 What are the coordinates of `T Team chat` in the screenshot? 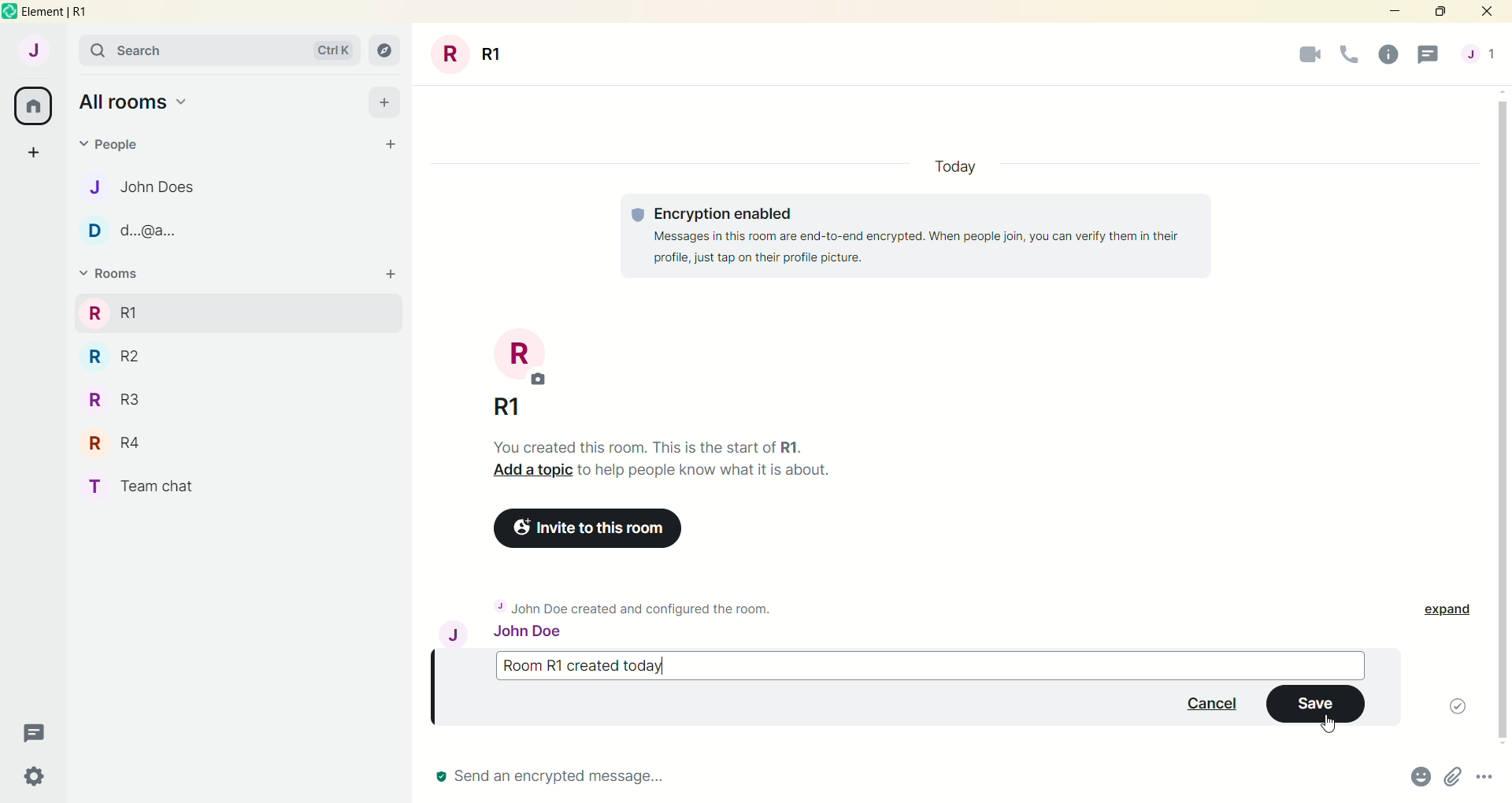 It's located at (144, 483).